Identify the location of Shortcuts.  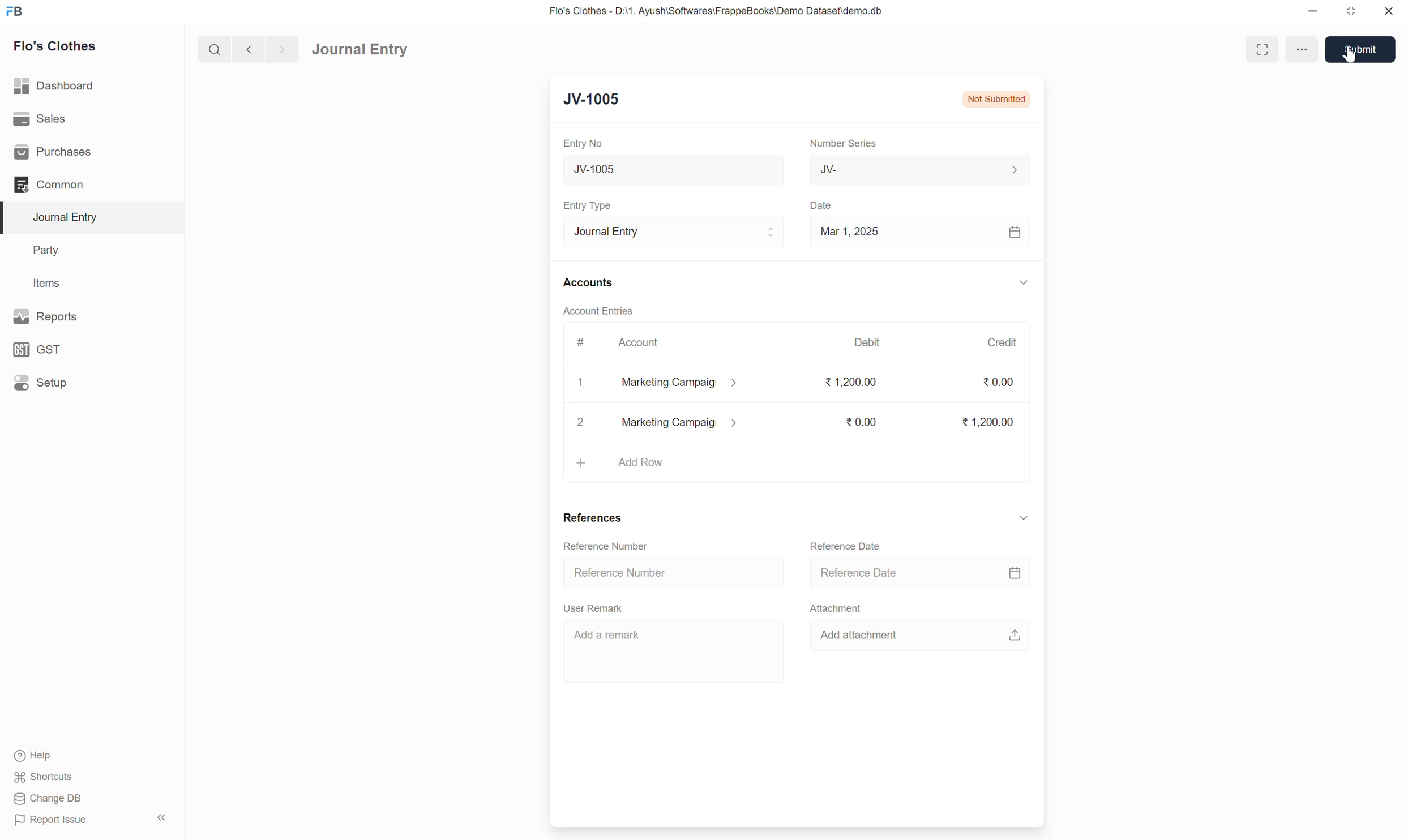
(48, 777).